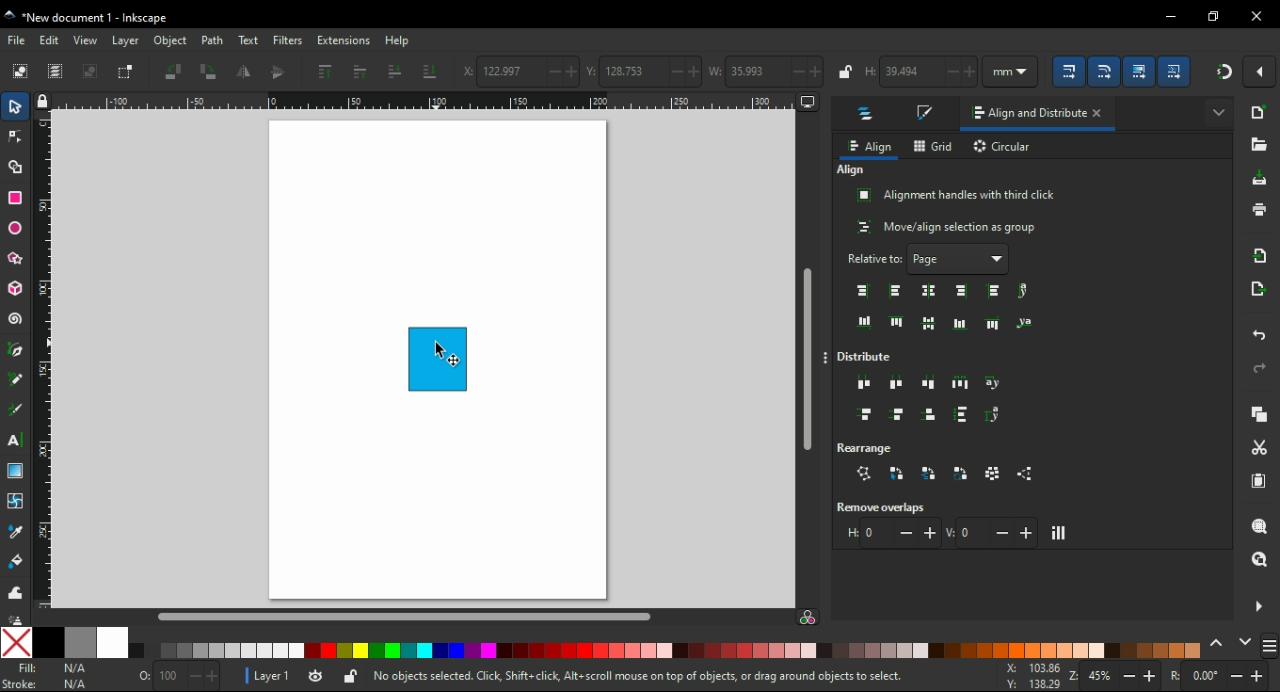 The image size is (1280, 692). Describe the element at coordinates (1259, 446) in the screenshot. I see `cut` at that location.